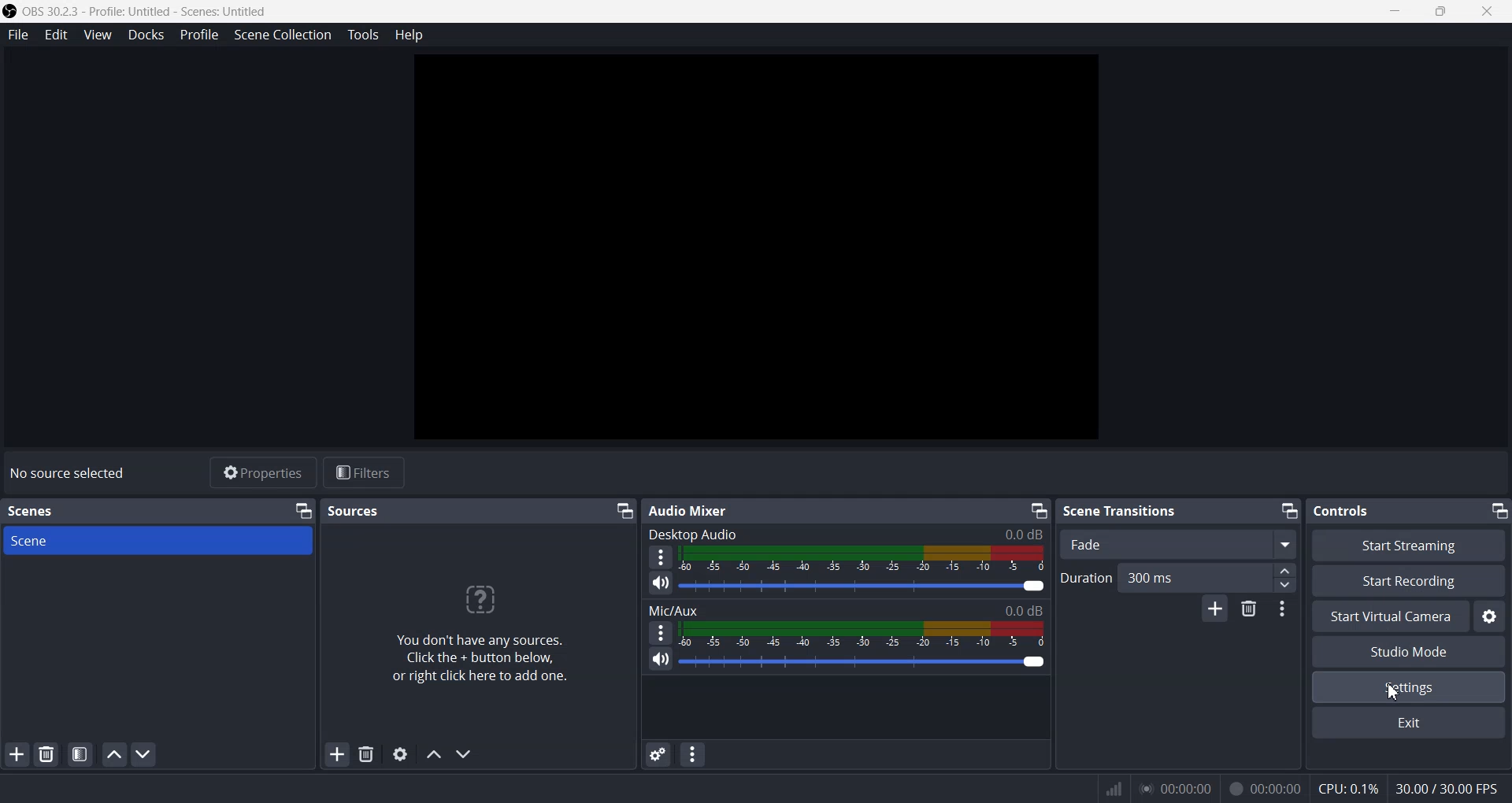  What do you see at coordinates (465, 753) in the screenshot?
I see `Move source down` at bounding box center [465, 753].